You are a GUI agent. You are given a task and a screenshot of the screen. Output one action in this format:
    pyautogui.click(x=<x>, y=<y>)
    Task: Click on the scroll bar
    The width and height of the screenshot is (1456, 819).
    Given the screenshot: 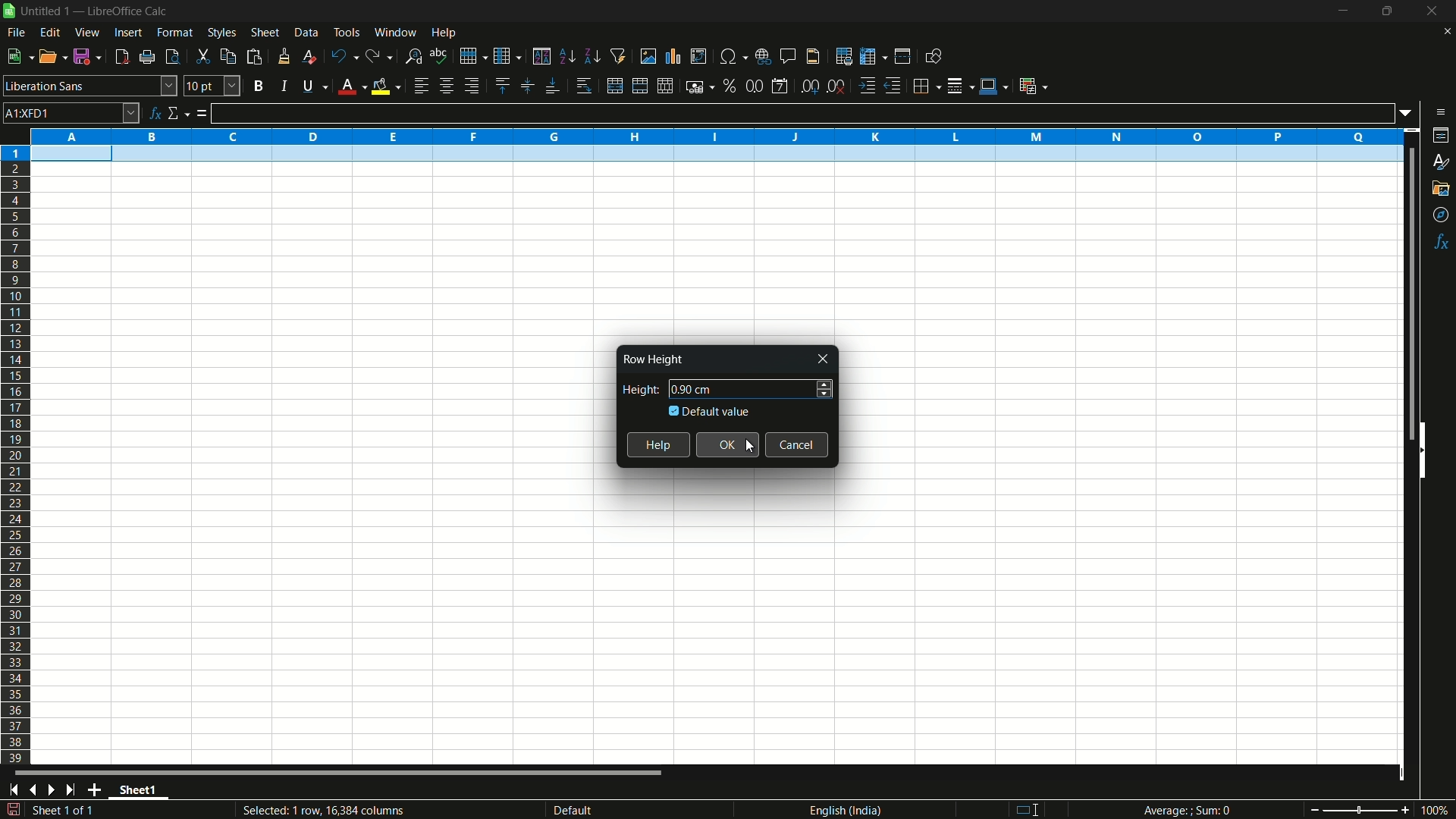 What is the action you would take?
    pyautogui.click(x=1403, y=294)
    